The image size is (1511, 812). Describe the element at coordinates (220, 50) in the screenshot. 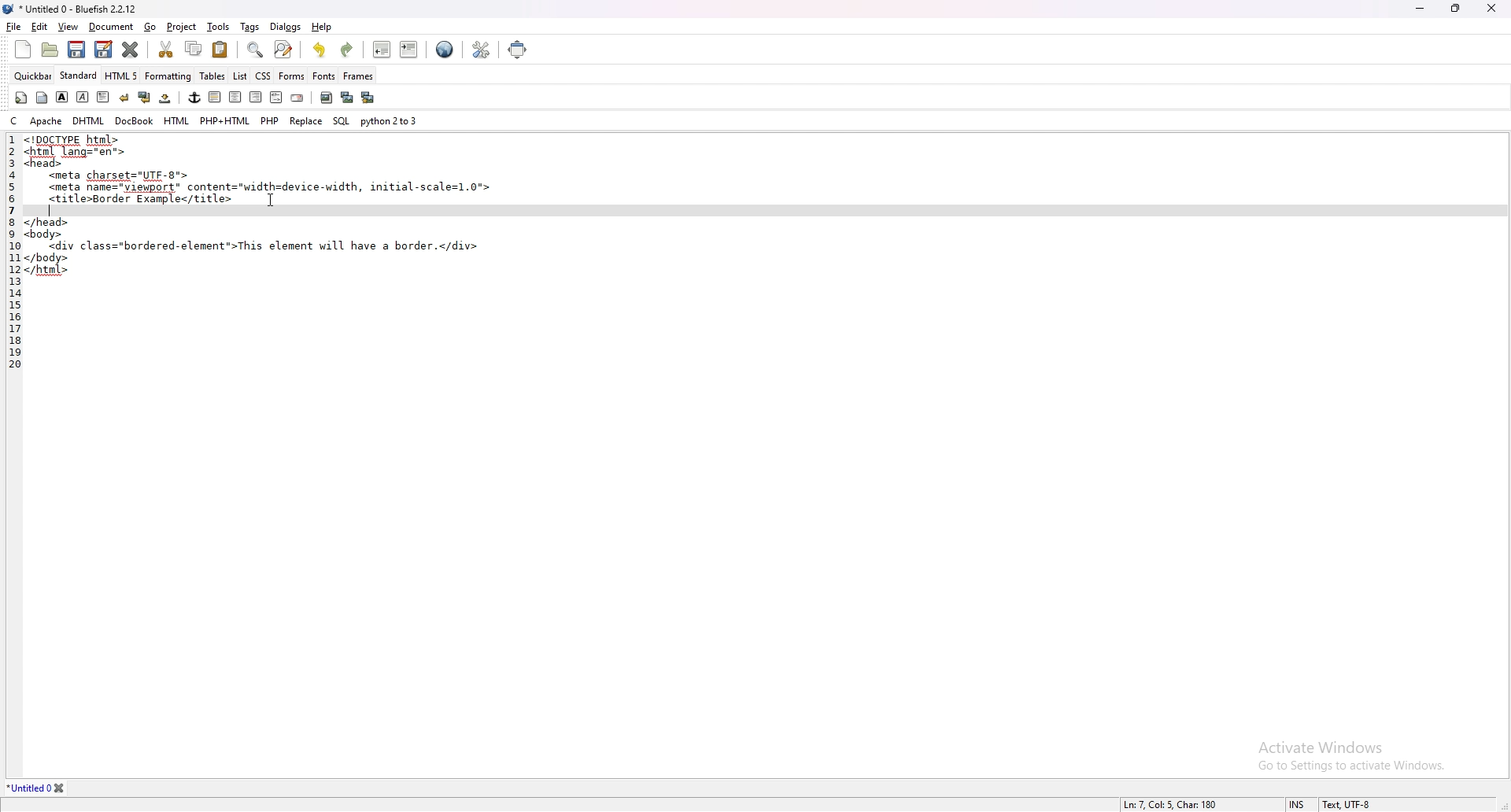

I see `paste` at that location.